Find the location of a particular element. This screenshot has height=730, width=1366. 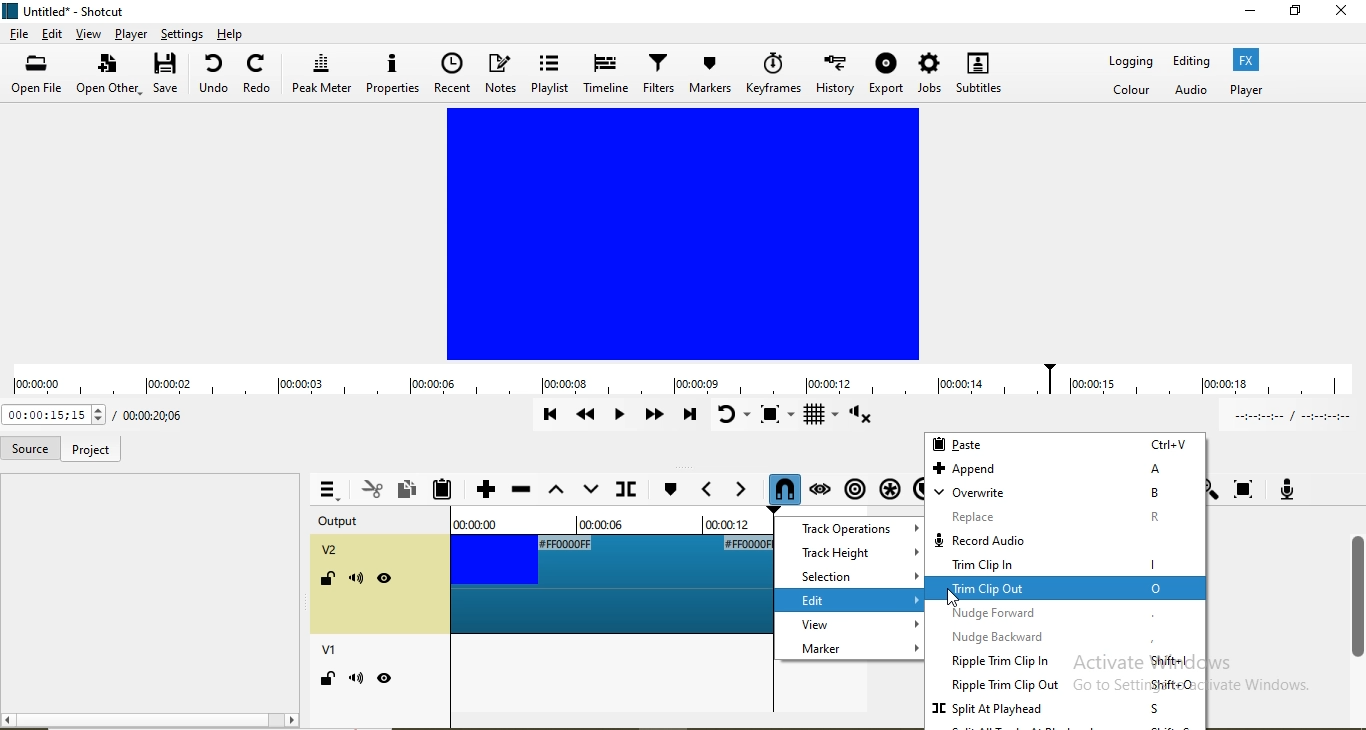

save is located at coordinates (171, 77).